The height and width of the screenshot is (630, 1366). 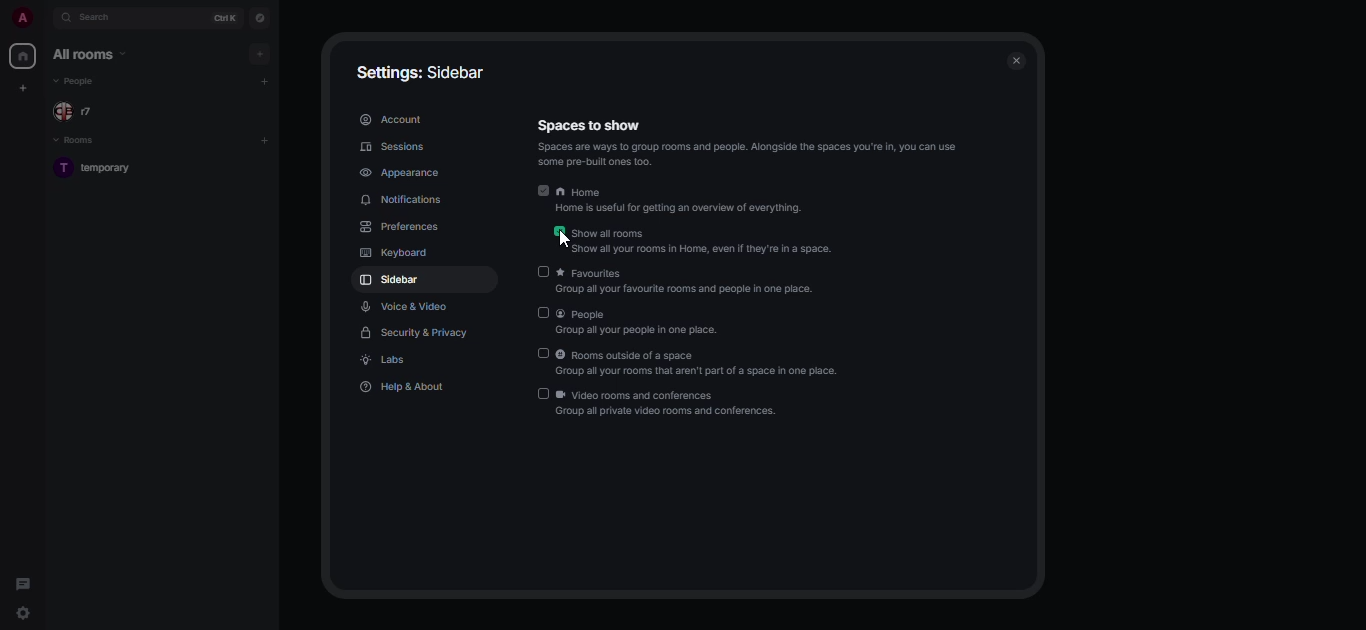 What do you see at coordinates (390, 119) in the screenshot?
I see `account` at bounding box center [390, 119].